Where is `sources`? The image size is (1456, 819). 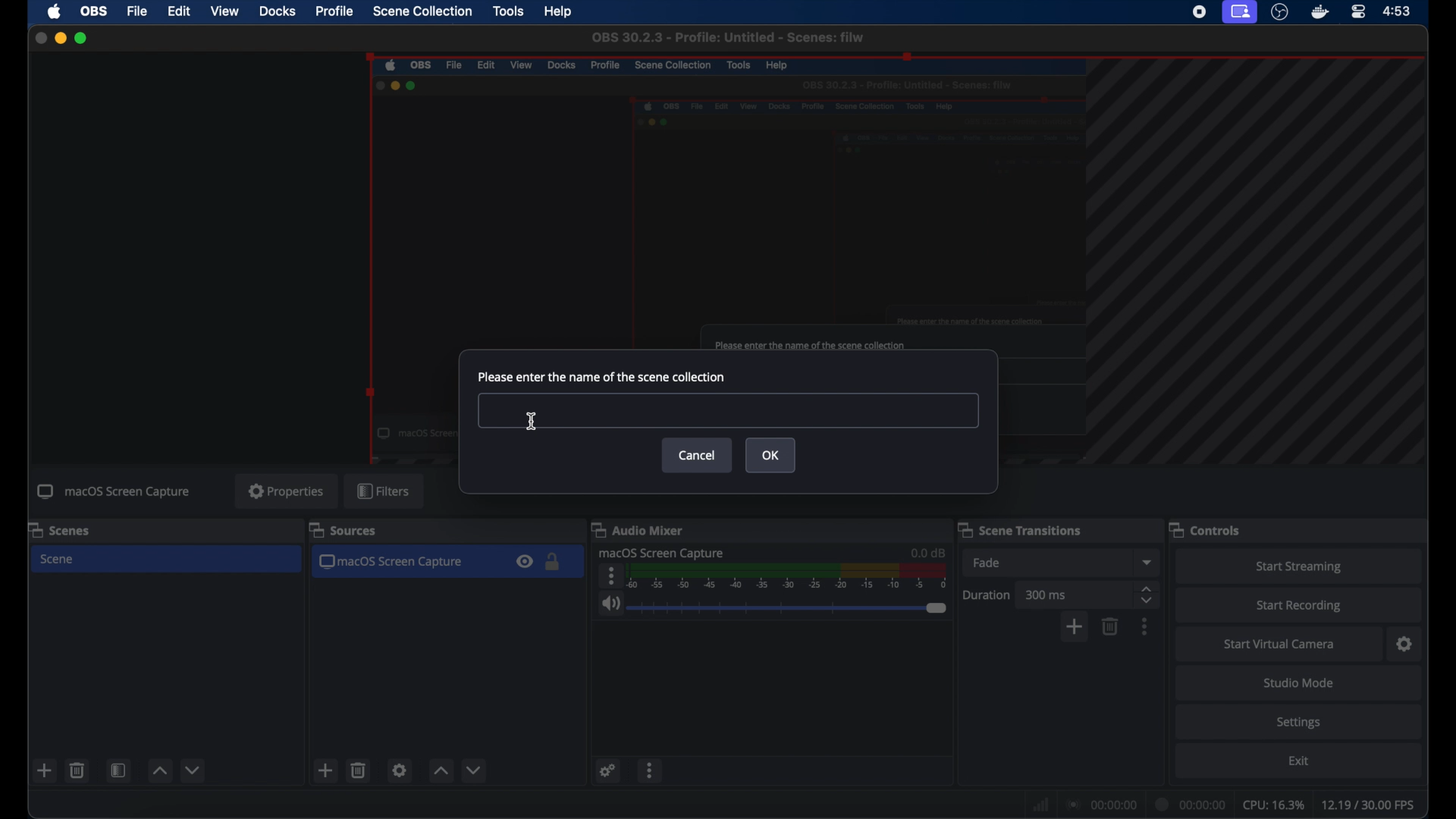
sources is located at coordinates (343, 531).